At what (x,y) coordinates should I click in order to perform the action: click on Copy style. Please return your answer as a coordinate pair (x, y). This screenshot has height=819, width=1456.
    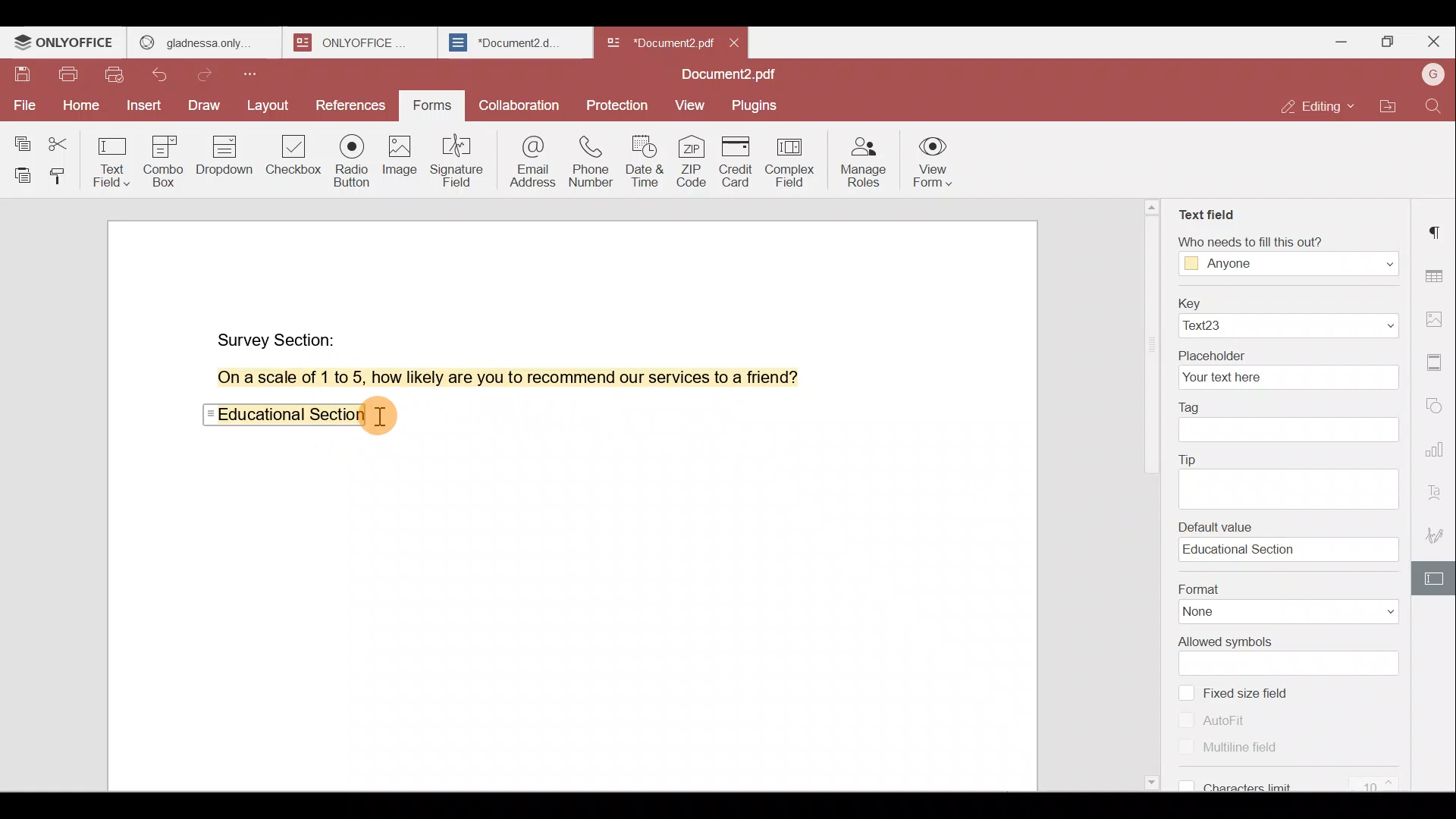
    Looking at the image, I should click on (61, 175).